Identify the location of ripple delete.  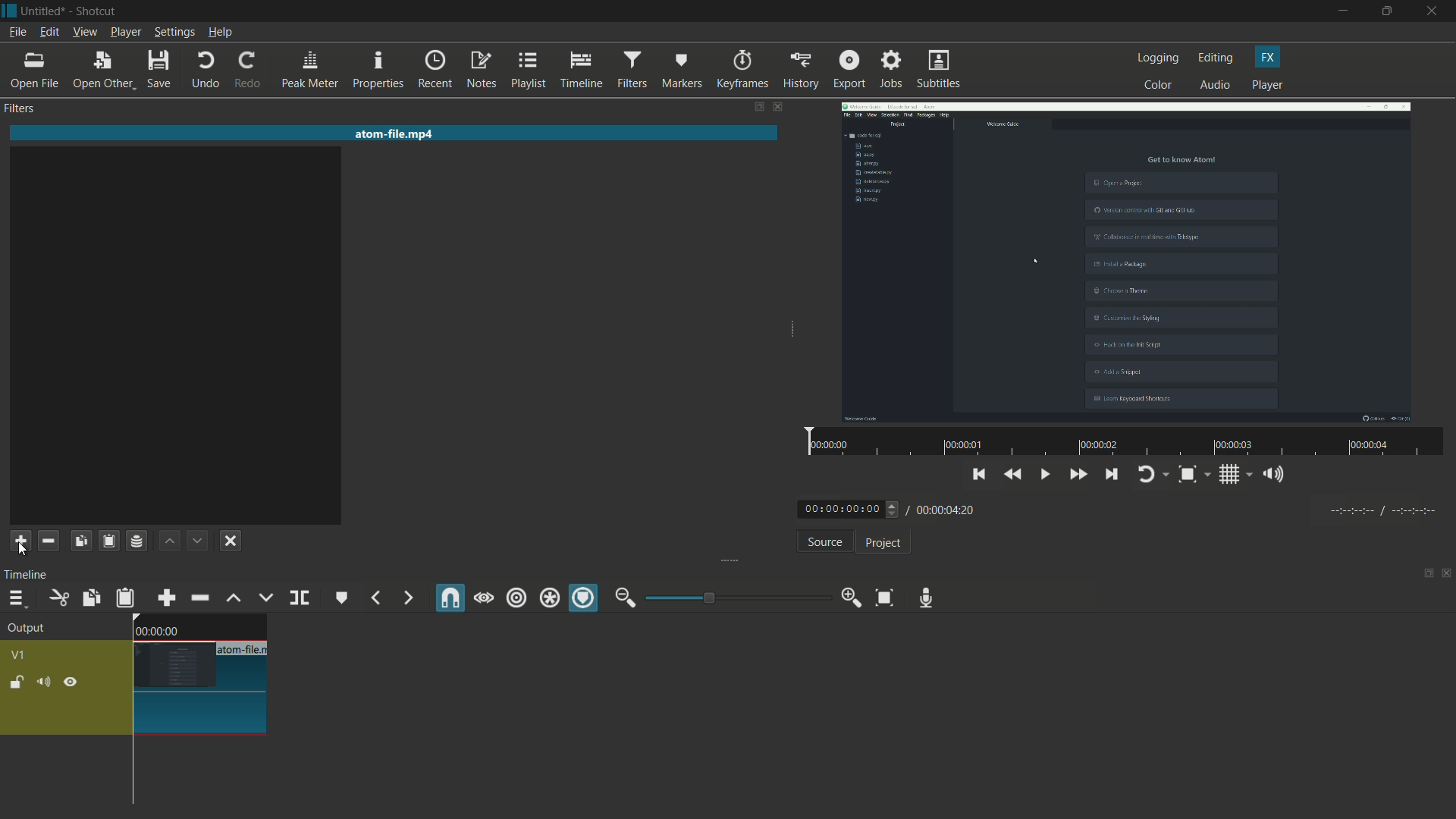
(199, 598).